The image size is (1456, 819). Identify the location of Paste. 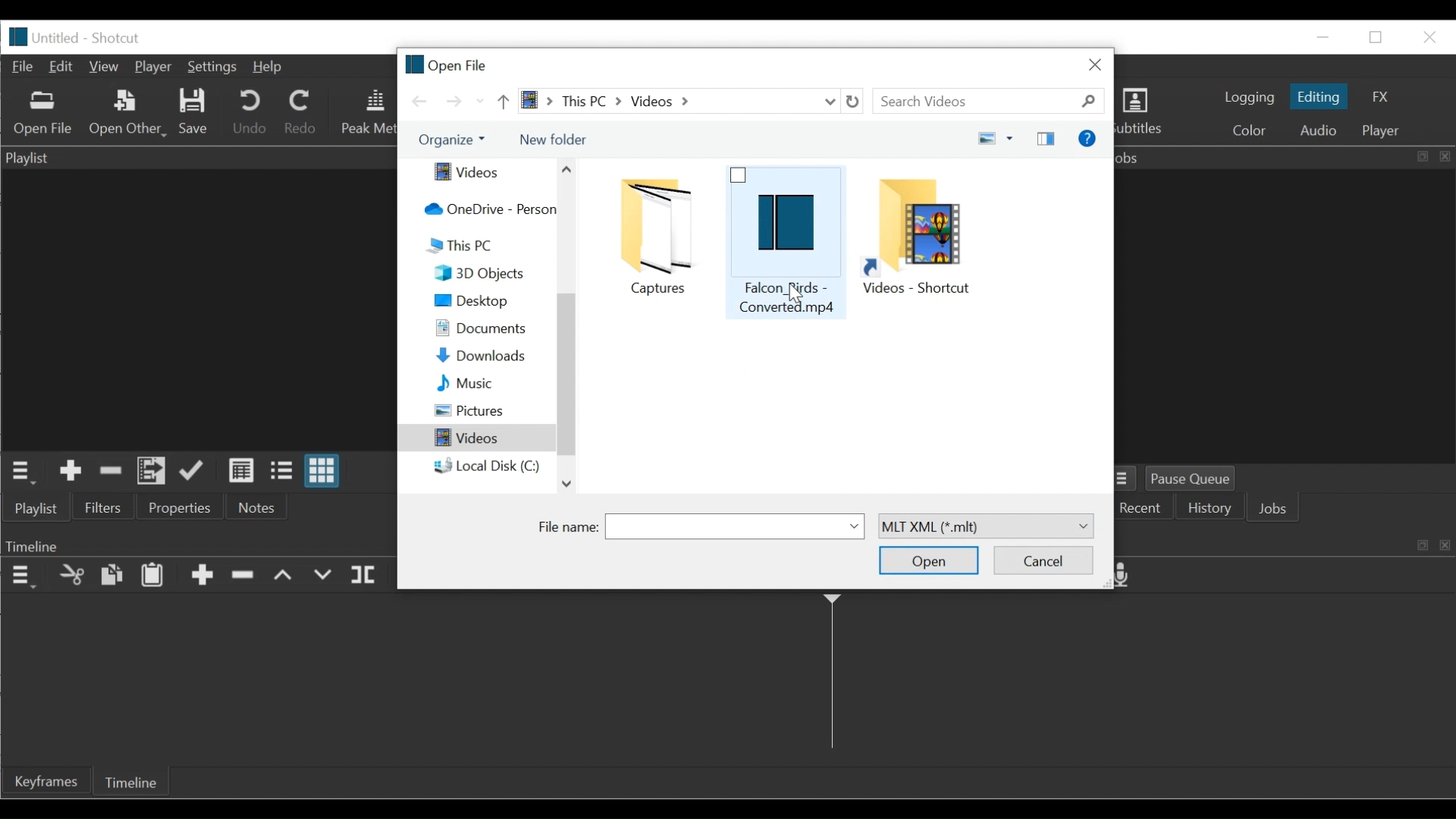
(152, 576).